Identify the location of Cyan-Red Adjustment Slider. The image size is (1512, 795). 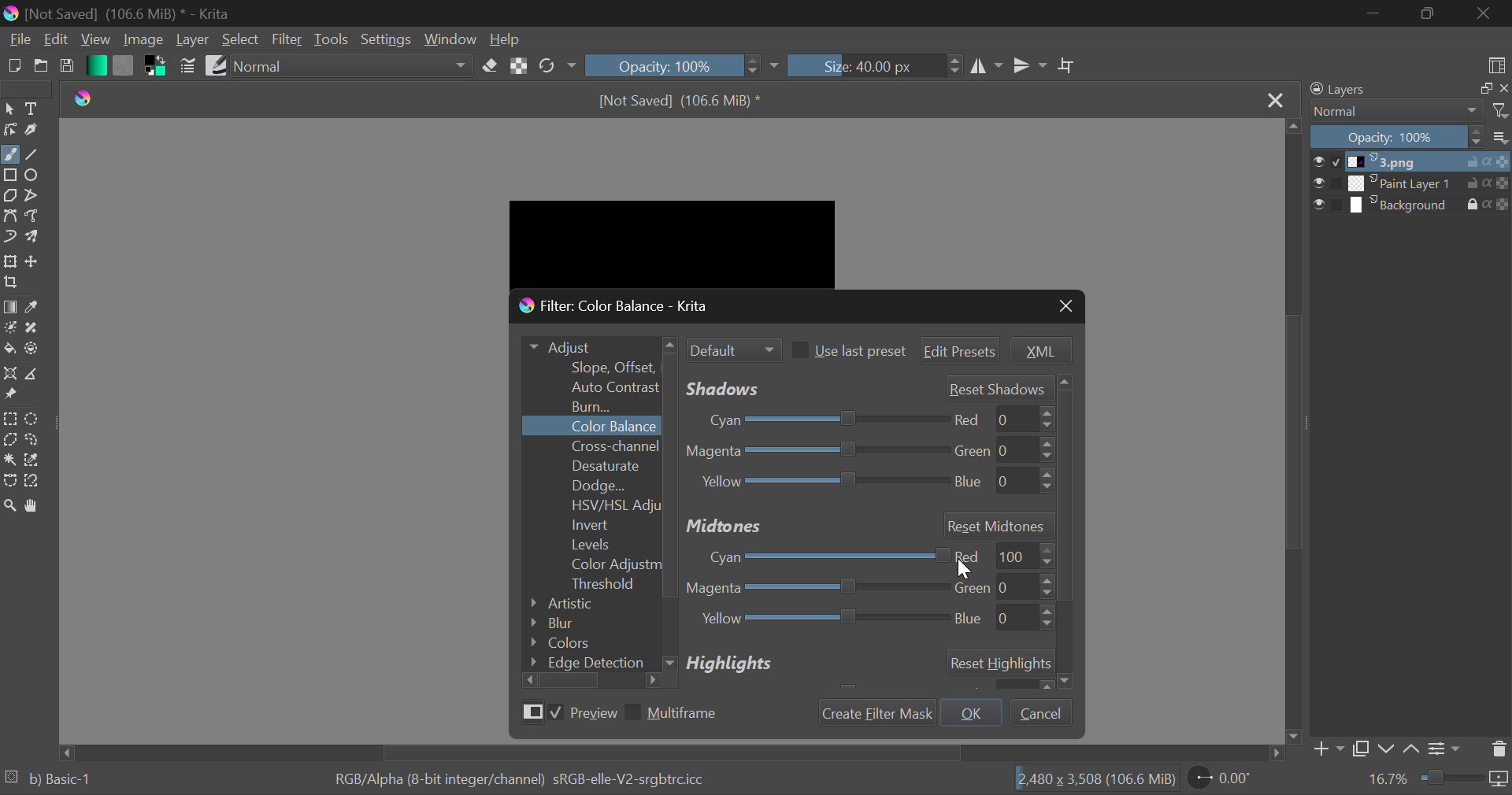
(813, 559).